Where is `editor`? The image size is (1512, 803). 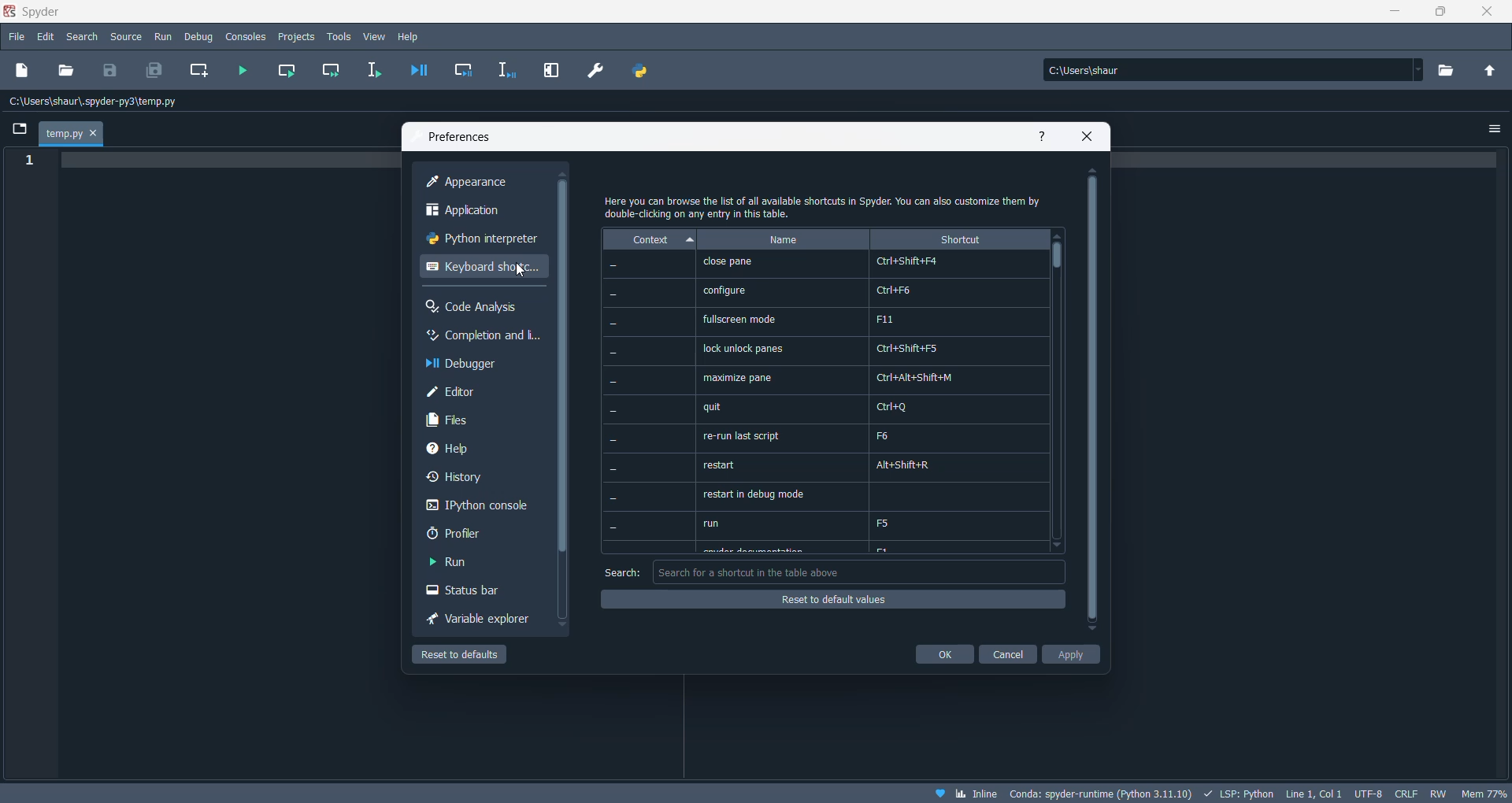 editor is located at coordinates (479, 394).